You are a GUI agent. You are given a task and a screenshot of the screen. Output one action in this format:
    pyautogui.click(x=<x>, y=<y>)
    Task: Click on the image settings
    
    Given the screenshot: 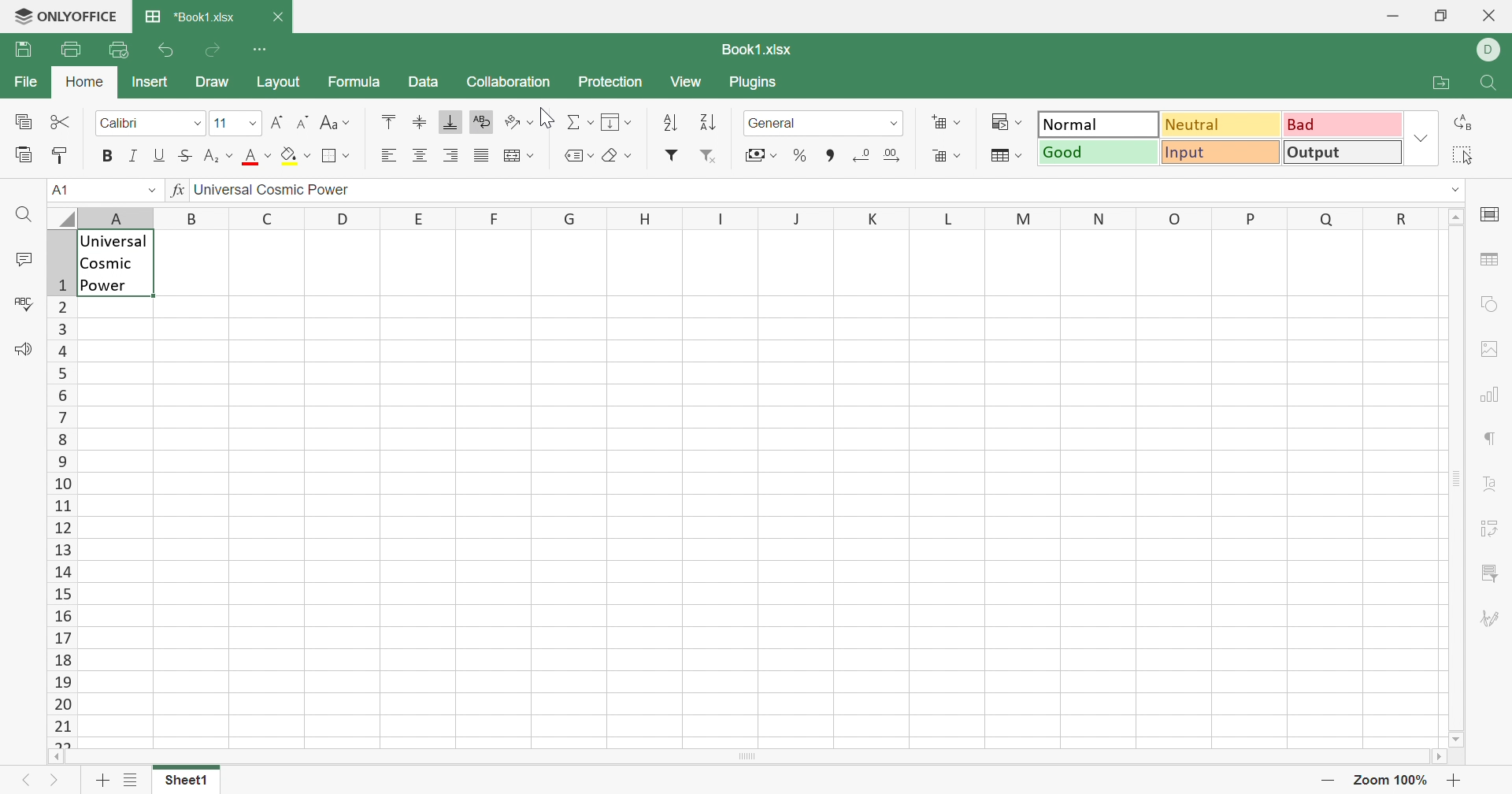 What is the action you would take?
    pyautogui.click(x=1490, y=351)
    